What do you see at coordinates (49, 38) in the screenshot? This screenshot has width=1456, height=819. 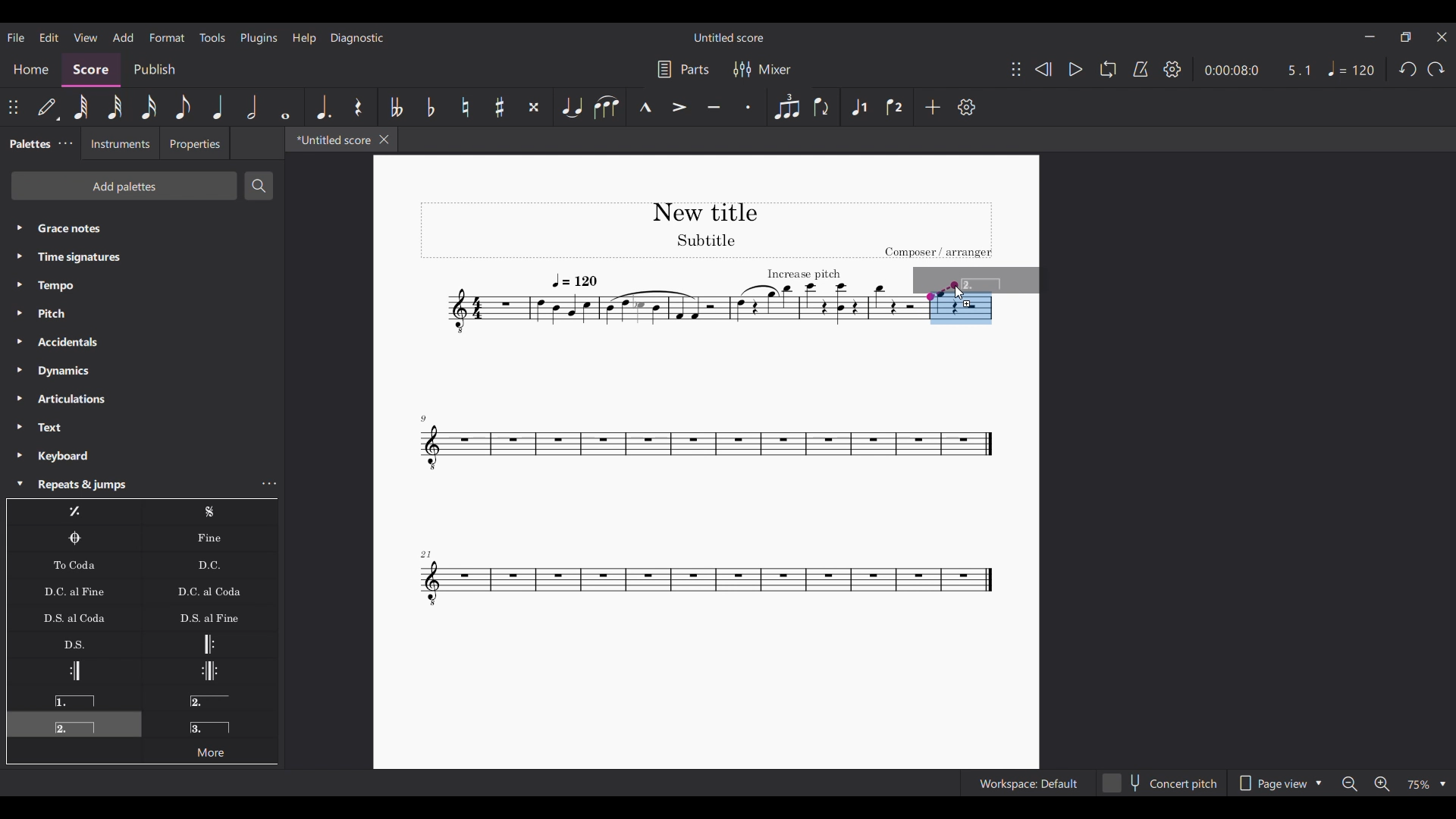 I see `Edit menu` at bounding box center [49, 38].